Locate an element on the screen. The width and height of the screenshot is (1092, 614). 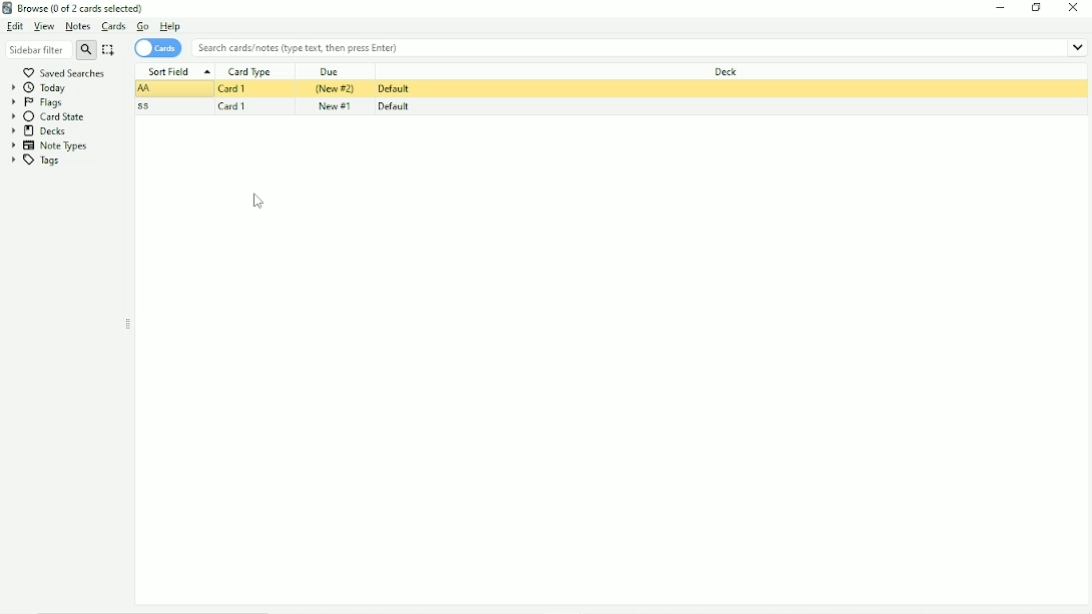
Resize is located at coordinates (128, 324).